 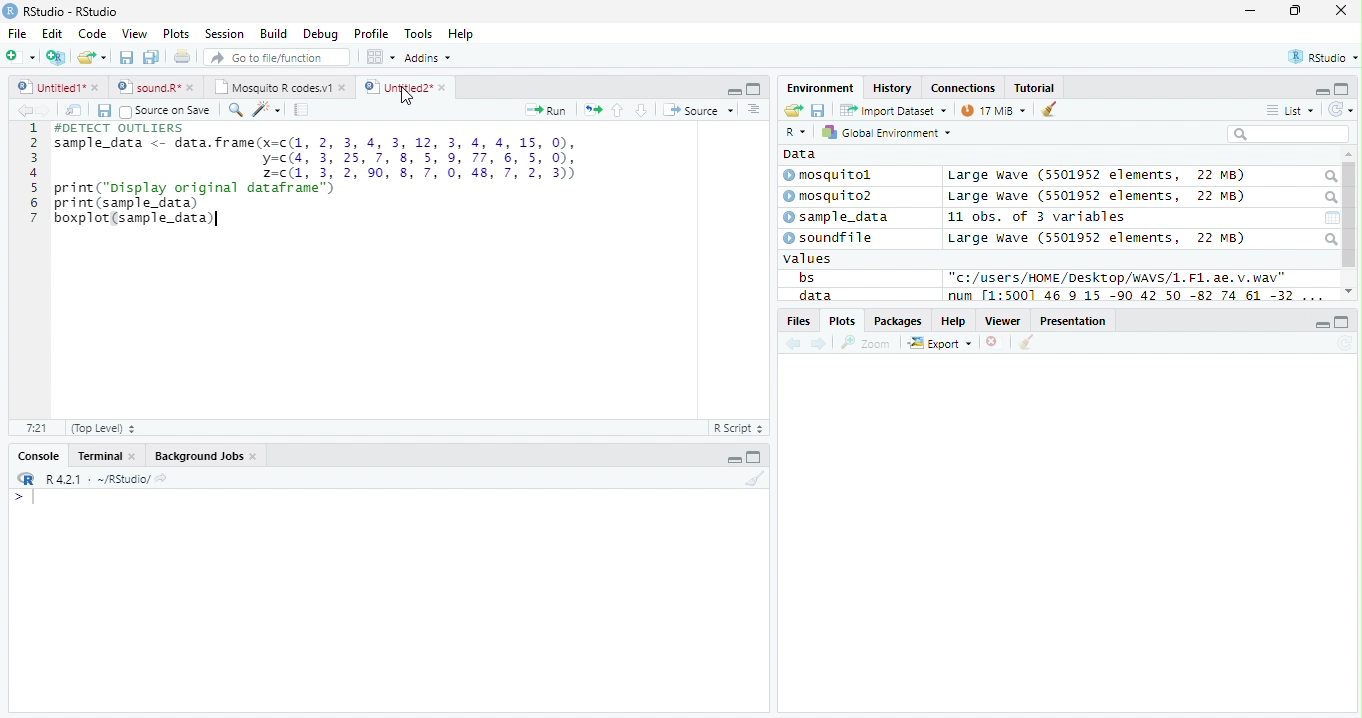 I want to click on Source, so click(x=700, y=109).